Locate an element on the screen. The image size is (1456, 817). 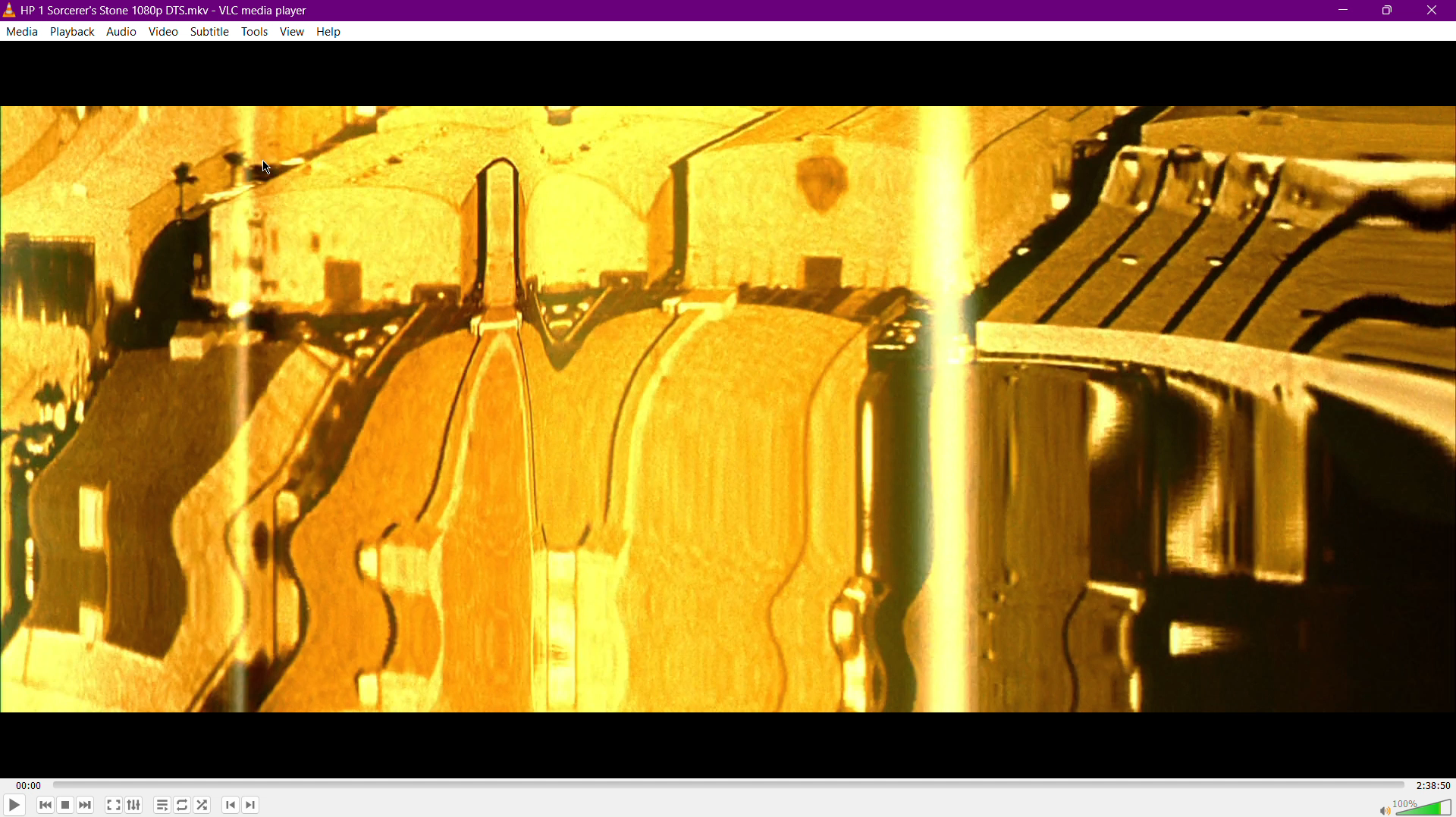
Maximize is located at coordinates (1389, 11).